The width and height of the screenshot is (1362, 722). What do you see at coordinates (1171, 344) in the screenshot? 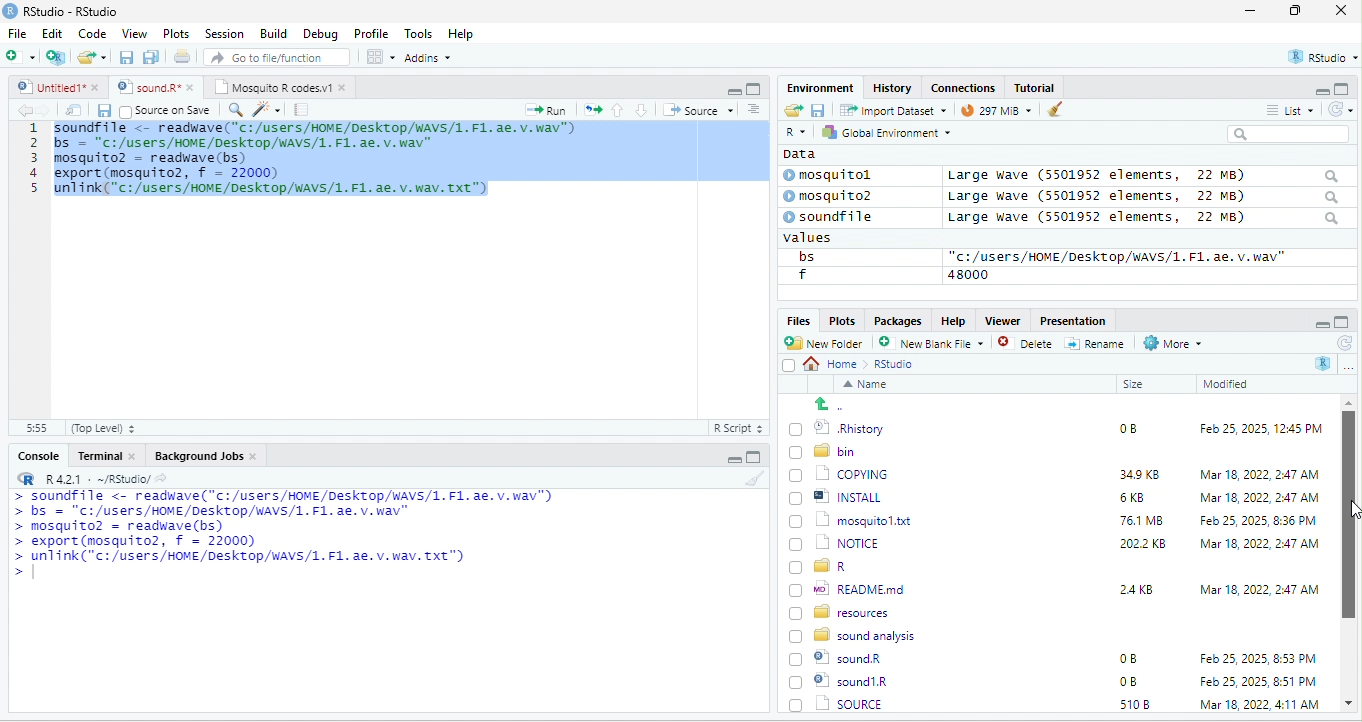
I see ` More ` at bounding box center [1171, 344].